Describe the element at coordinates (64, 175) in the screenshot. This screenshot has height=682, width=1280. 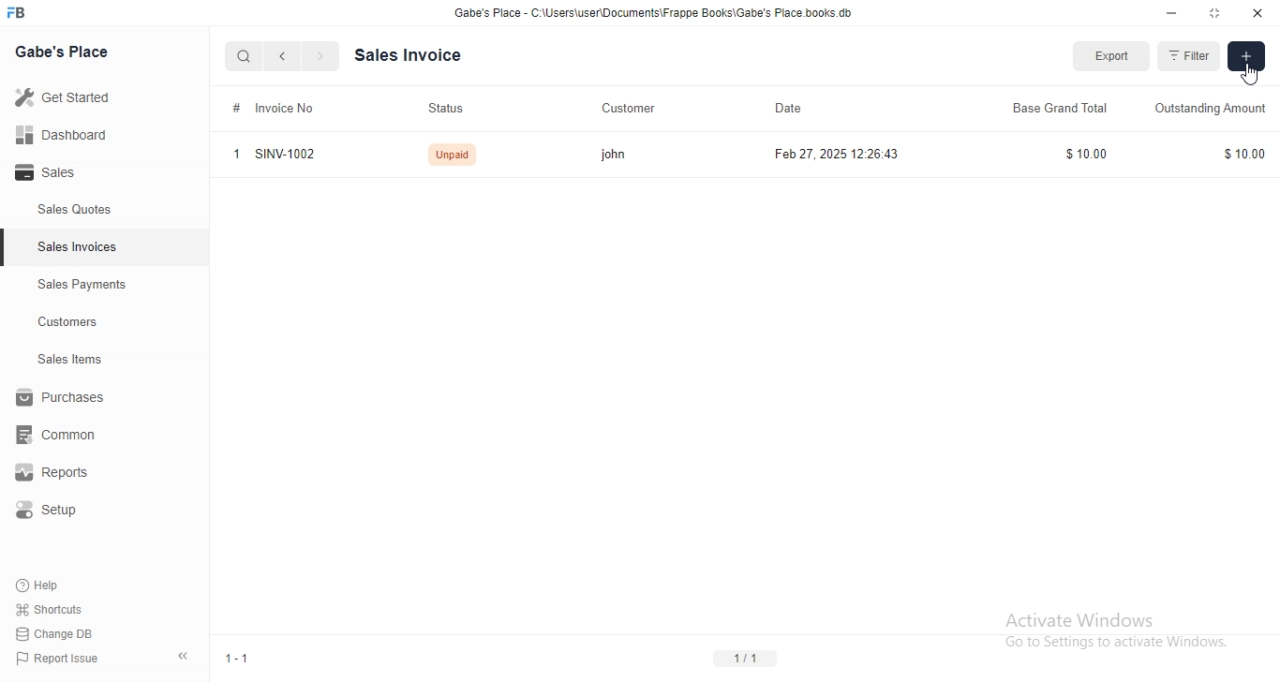
I see `- Sales` at that location.